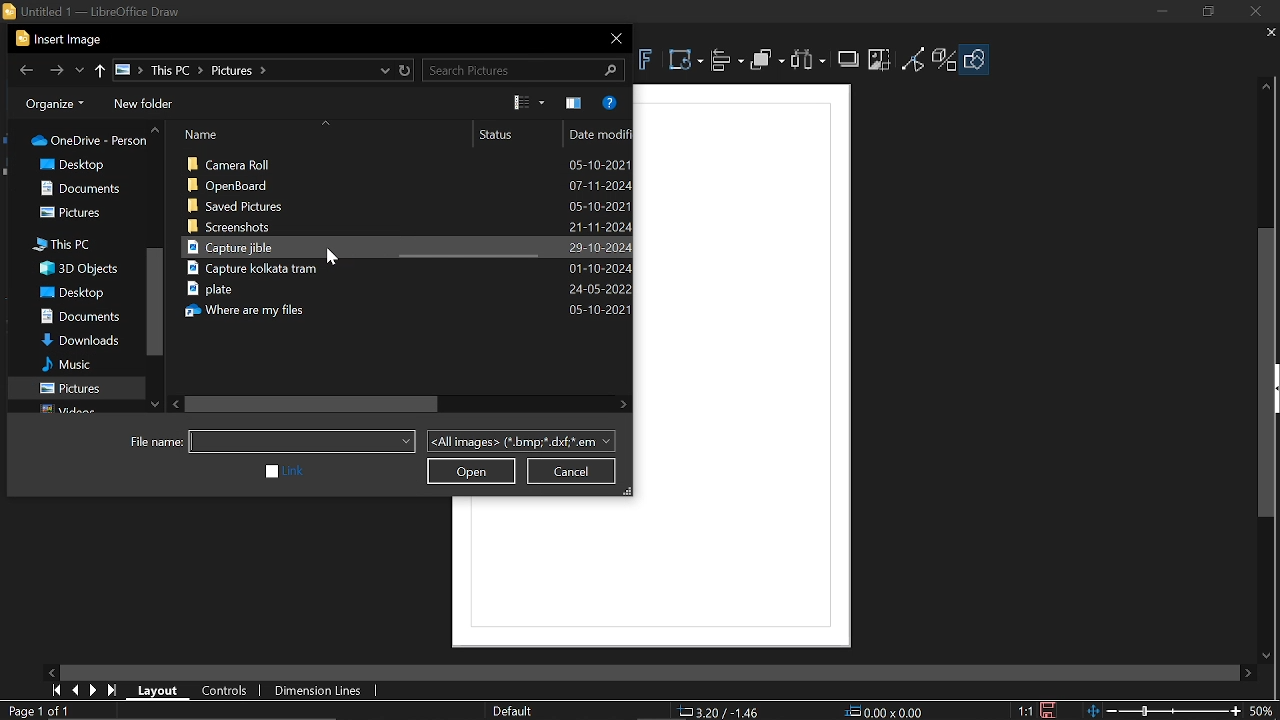 The width and height of the screenshot is (1280, 720). What do you see at coordinates (406, 69) in the screenshot?
I see `Restore` at bounding box center [406, 69].